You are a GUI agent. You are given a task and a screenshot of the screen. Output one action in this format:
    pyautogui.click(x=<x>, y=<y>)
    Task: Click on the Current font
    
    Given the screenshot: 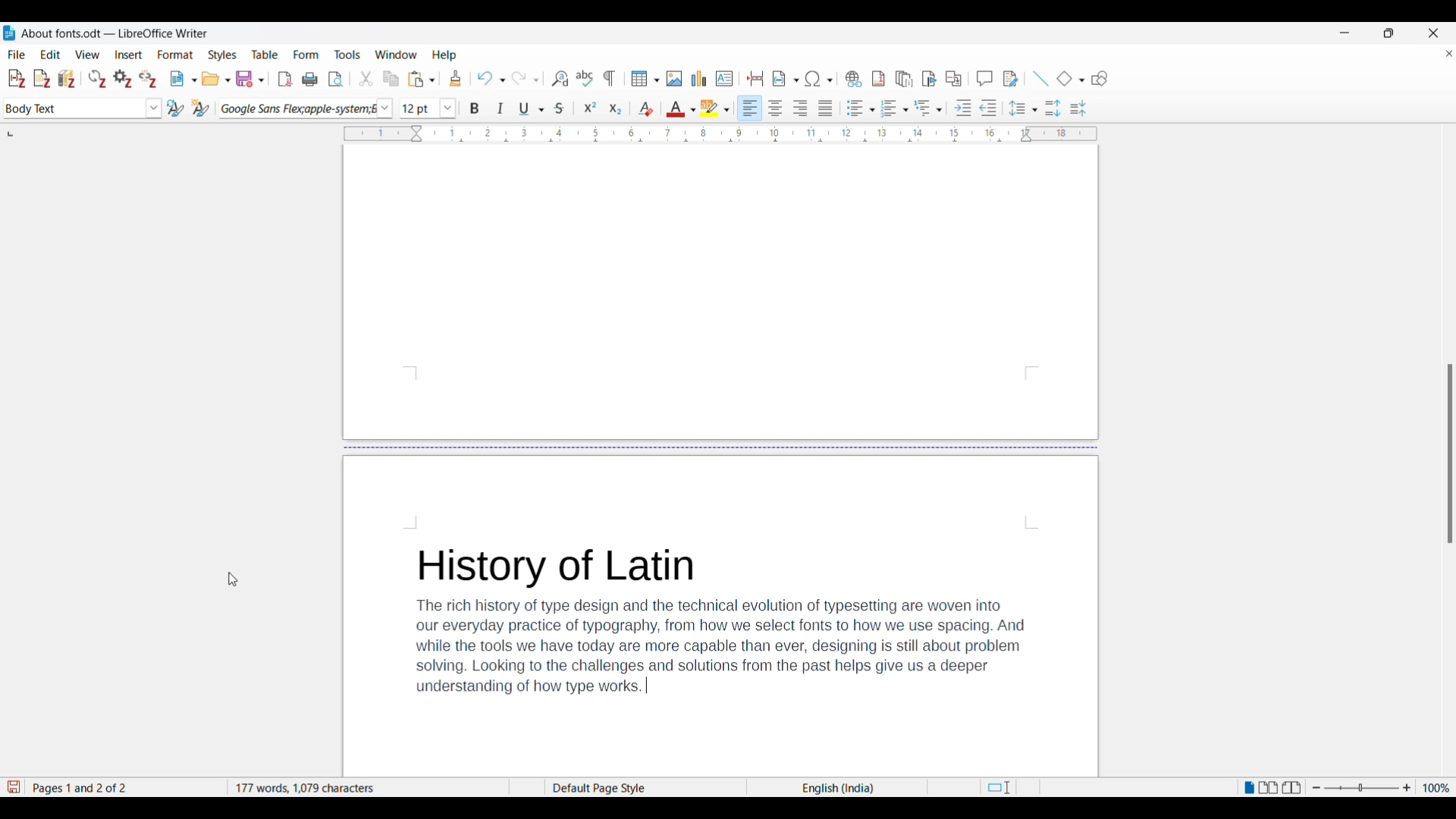 What is the action you would take?
    pyautogui.click(x=296, y=108)
    